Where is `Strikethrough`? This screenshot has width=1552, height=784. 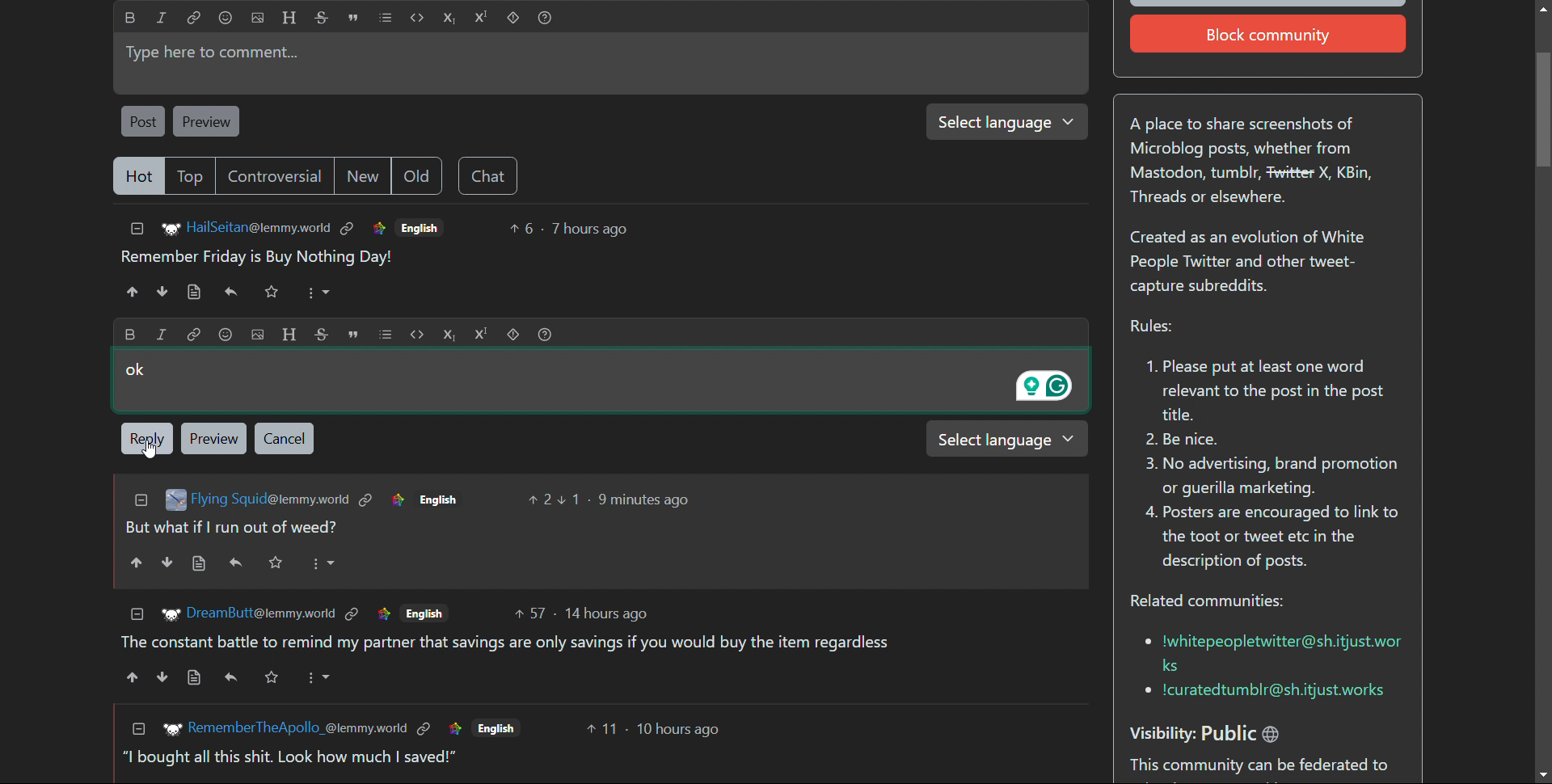 Strikethrough is located at coordinates (319, 331).